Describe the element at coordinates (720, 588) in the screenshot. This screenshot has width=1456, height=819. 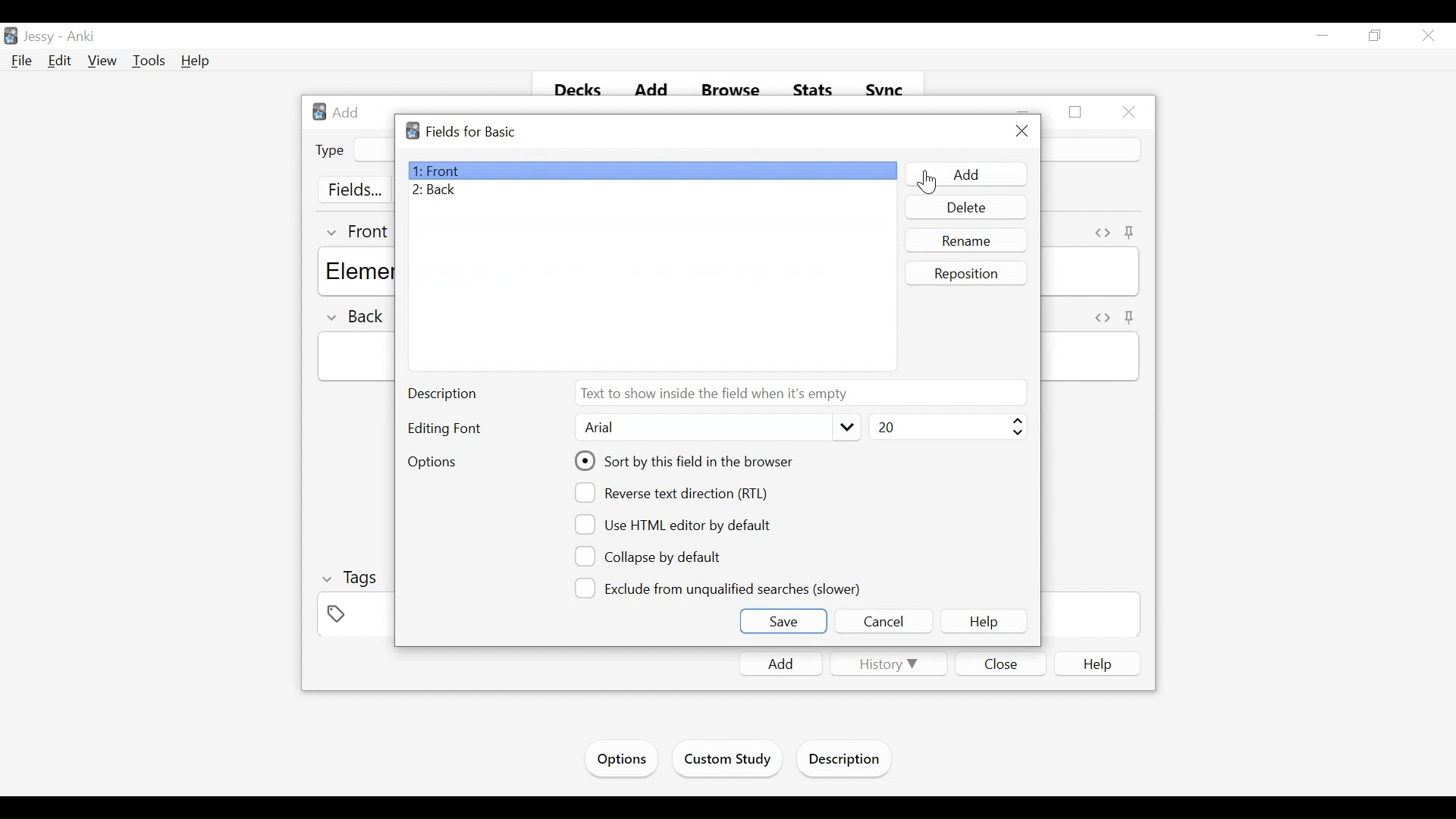
I see `(un)select Exclude from unqualified searches (slower)` at that location.